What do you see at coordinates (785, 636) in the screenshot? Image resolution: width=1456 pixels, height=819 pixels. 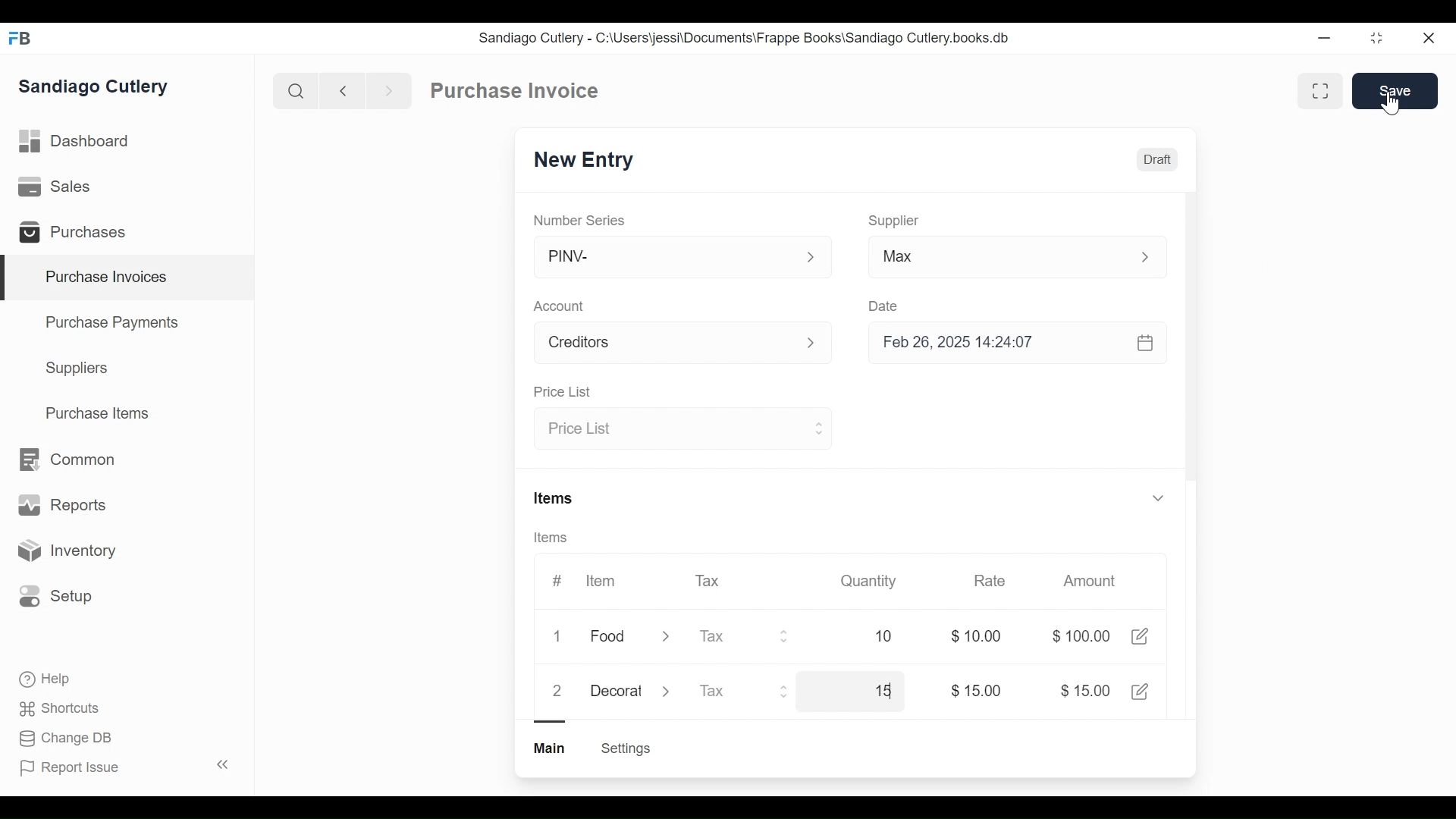 I see `Expand` at bounding box center [785, 636].